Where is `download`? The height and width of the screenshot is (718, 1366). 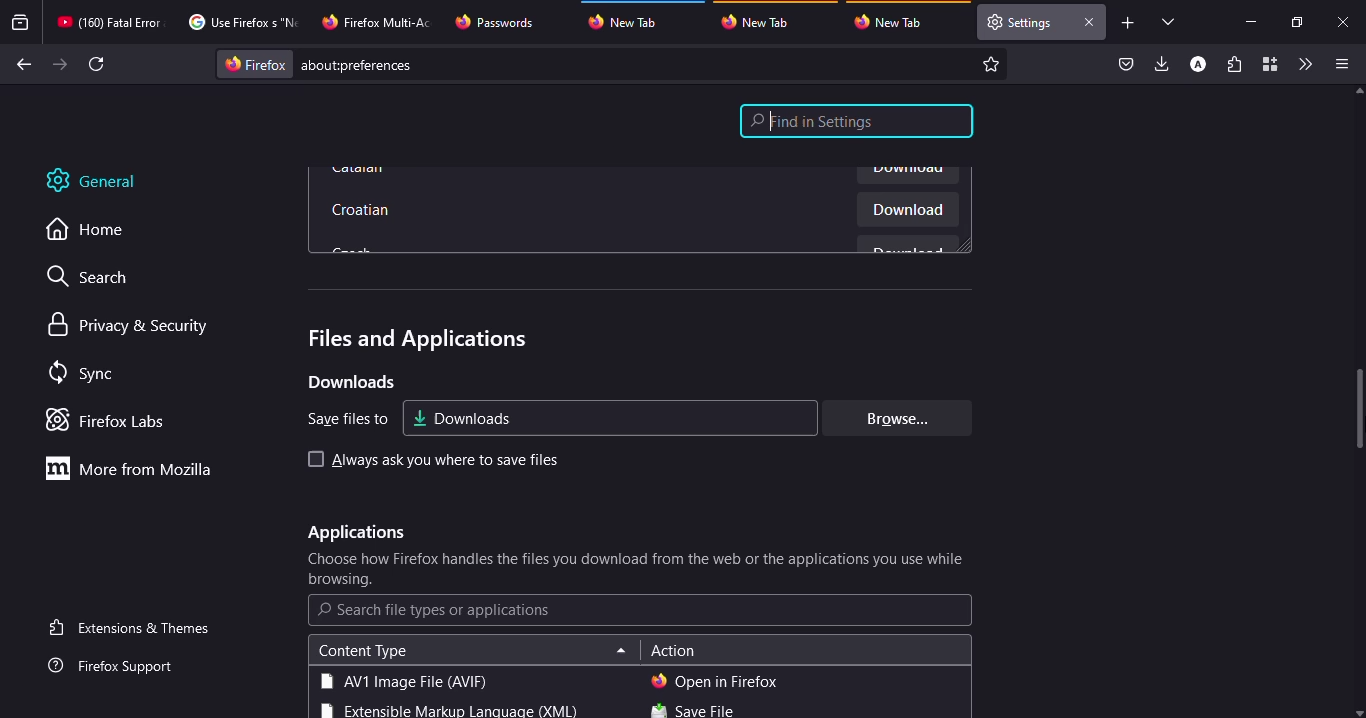
download is located at coordinates (900, 210).